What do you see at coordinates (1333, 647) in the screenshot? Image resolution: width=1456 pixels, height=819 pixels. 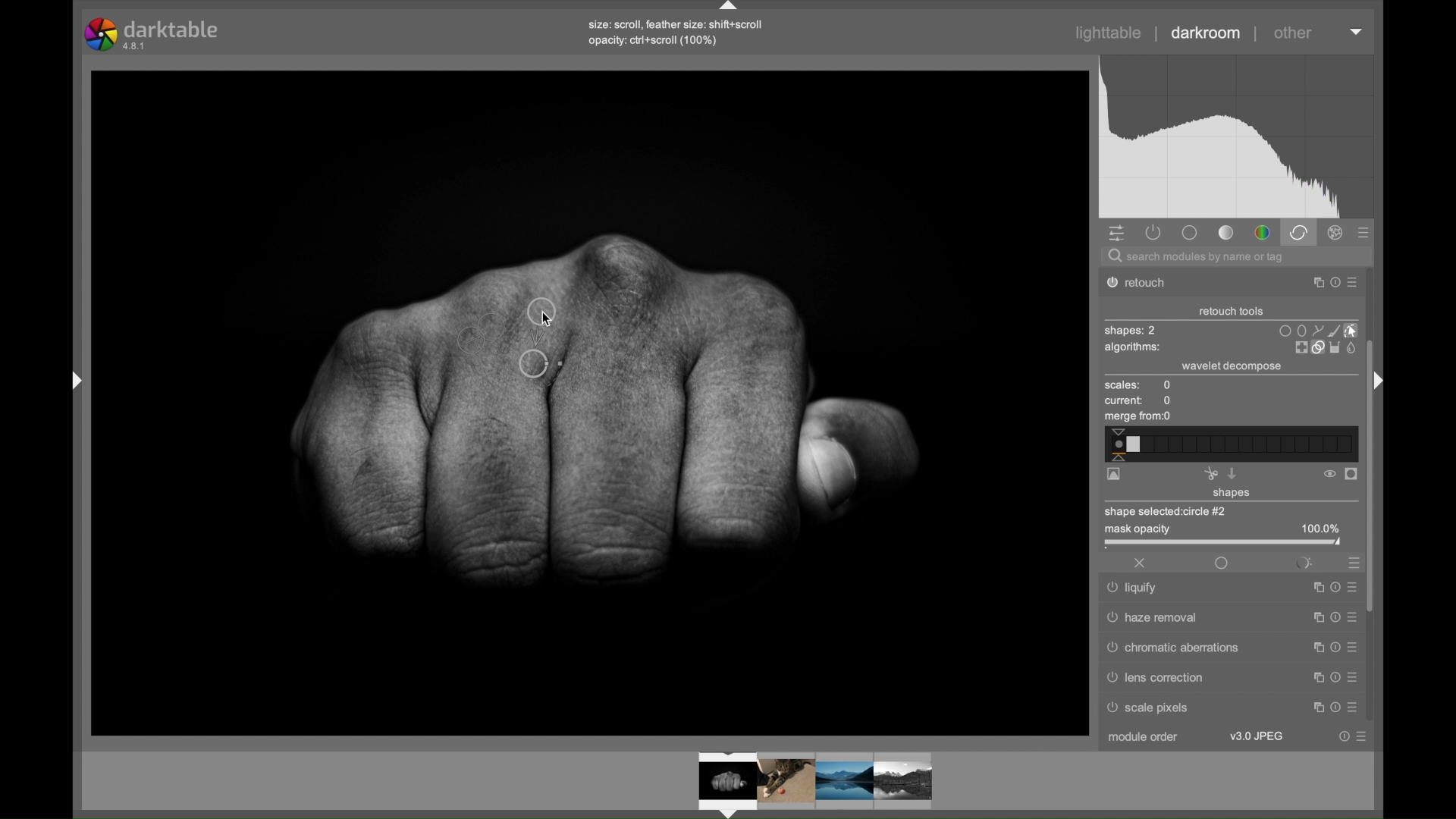 I see `help` at bounding box center [1333, 647].